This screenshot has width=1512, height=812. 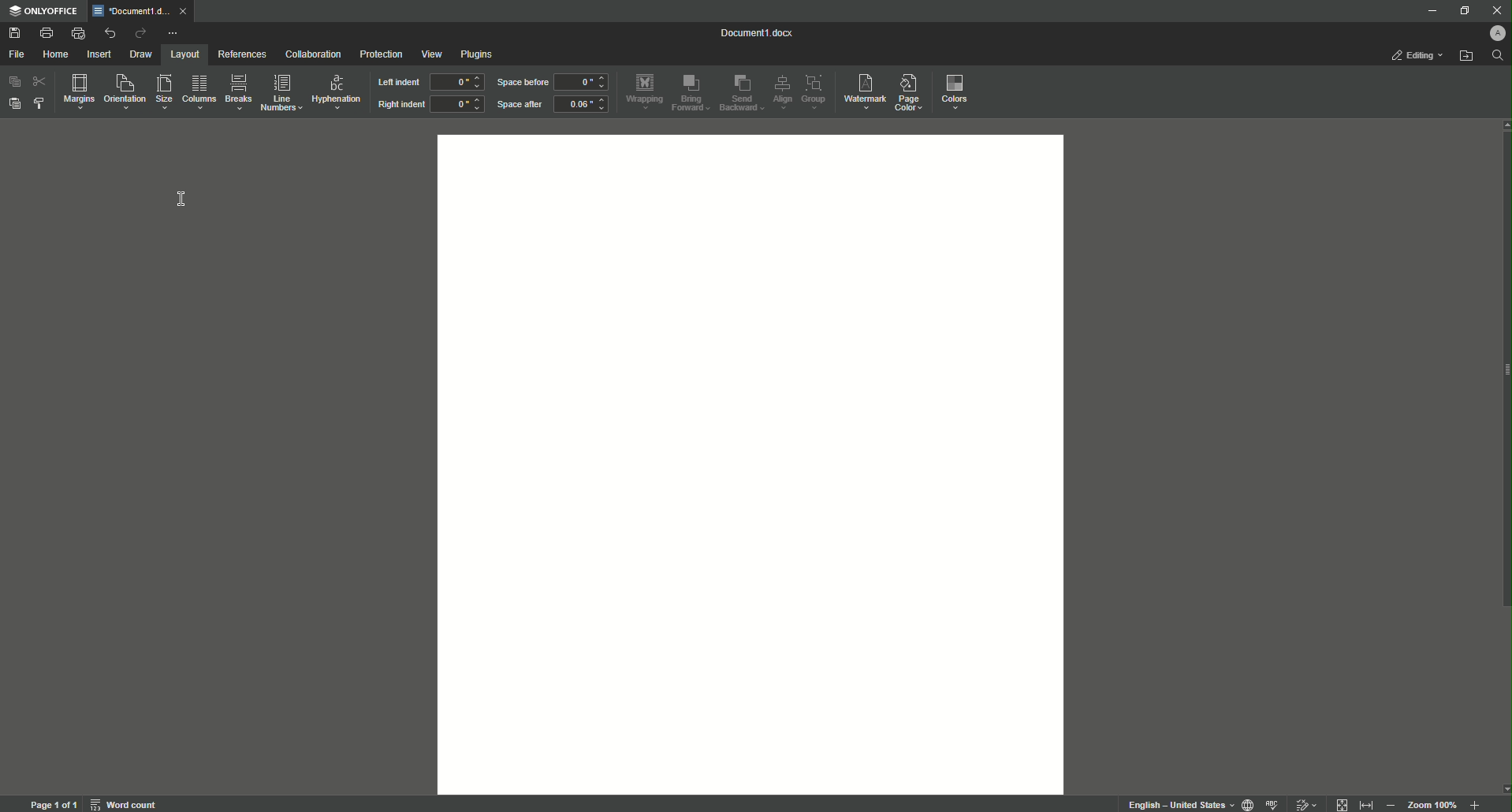 I want to click on More Actions, so click(x=173, y=31).